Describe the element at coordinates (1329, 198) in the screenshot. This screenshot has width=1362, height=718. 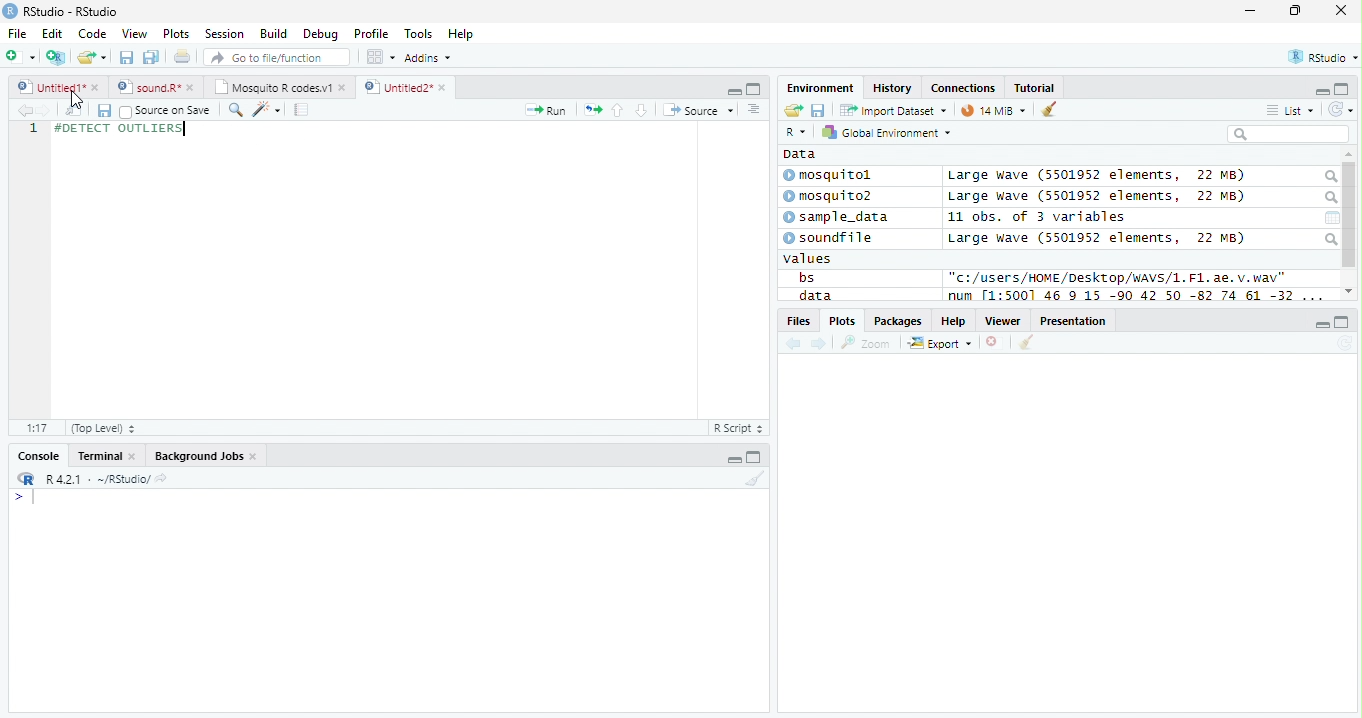
I see `search` at that location.